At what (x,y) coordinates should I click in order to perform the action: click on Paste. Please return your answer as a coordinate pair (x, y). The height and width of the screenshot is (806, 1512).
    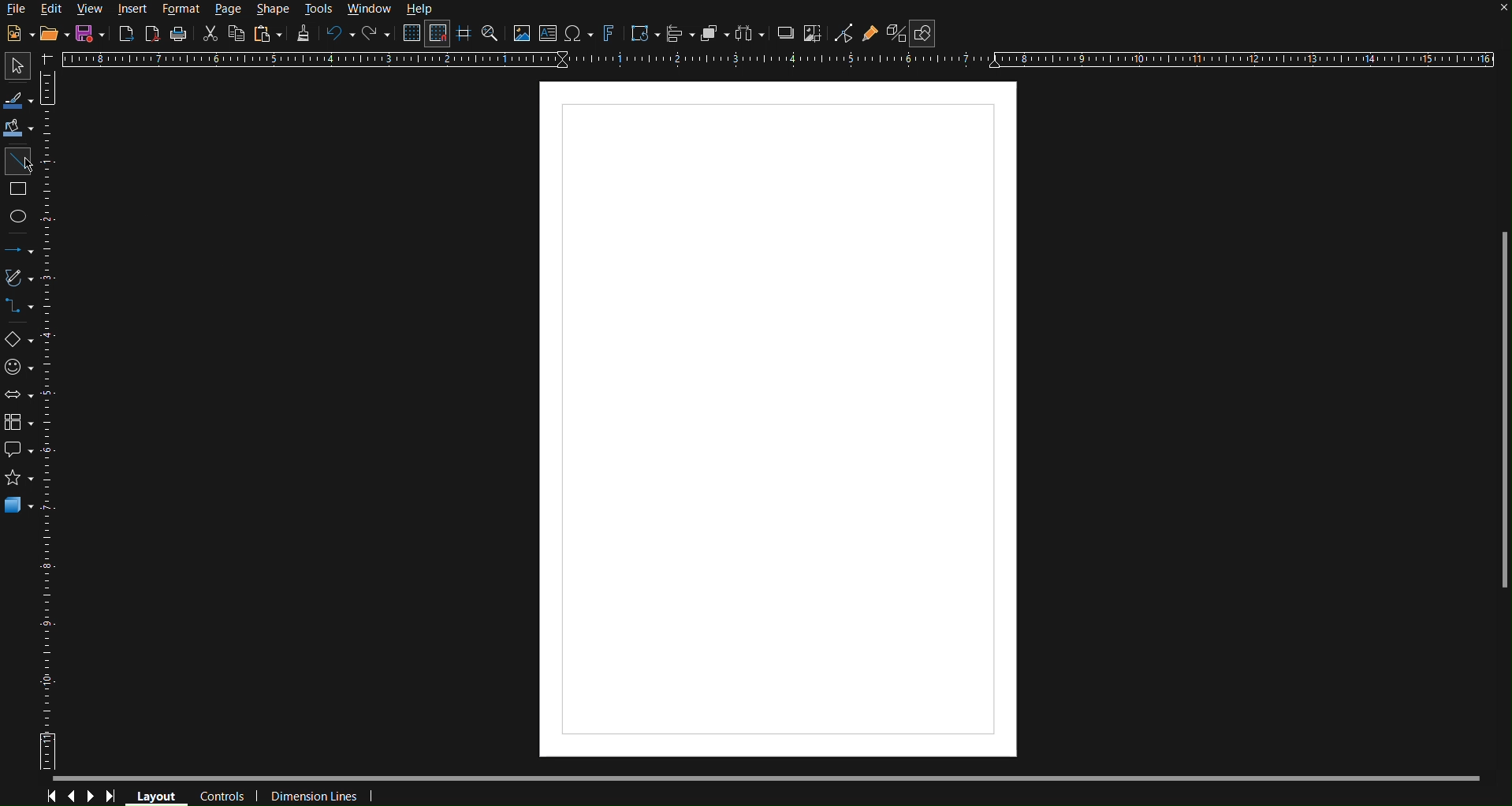
    Looking at the image, I should click on (266, 34).